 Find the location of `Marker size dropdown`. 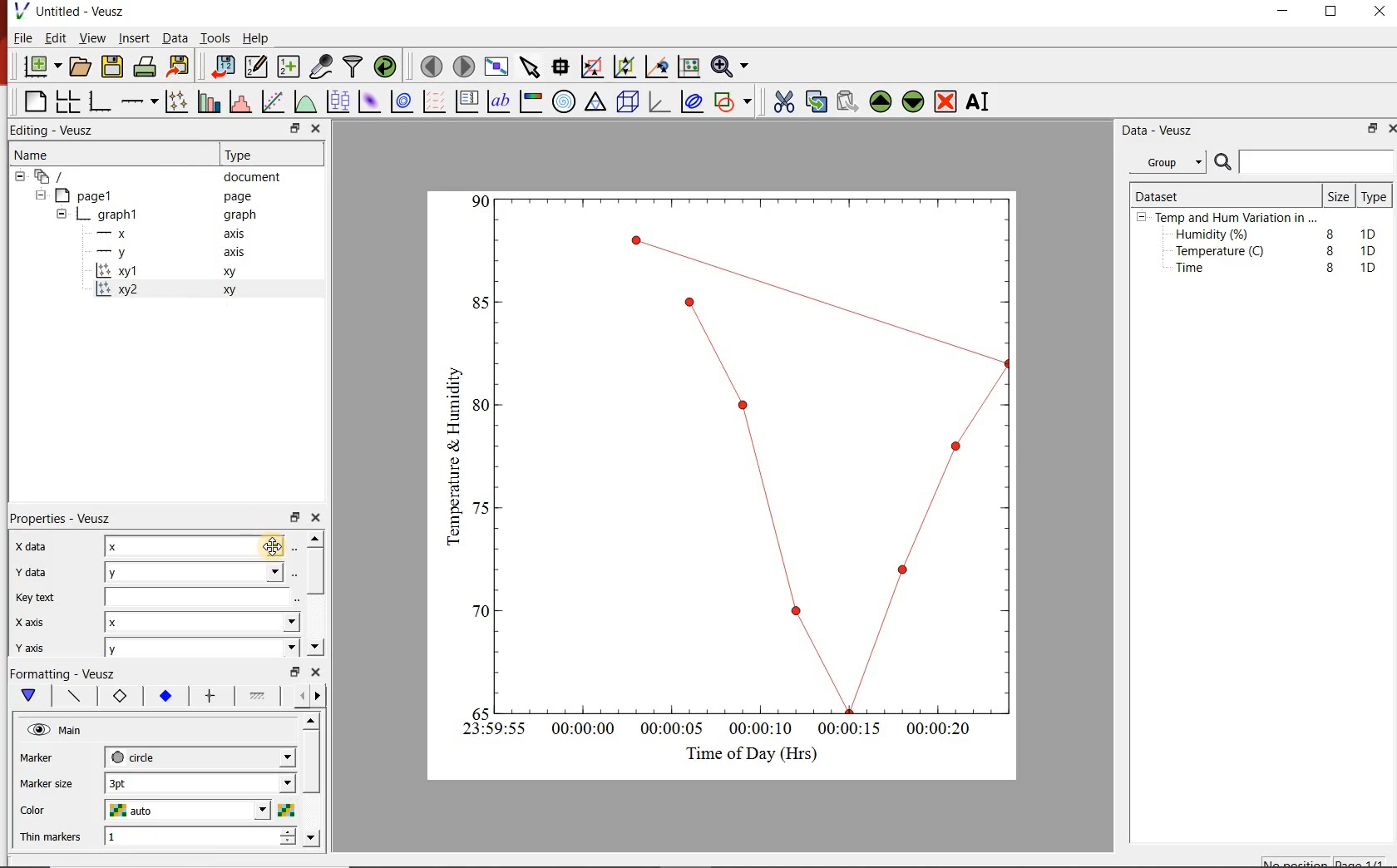

Marker size dropdown is located at coordinates (249, 784).